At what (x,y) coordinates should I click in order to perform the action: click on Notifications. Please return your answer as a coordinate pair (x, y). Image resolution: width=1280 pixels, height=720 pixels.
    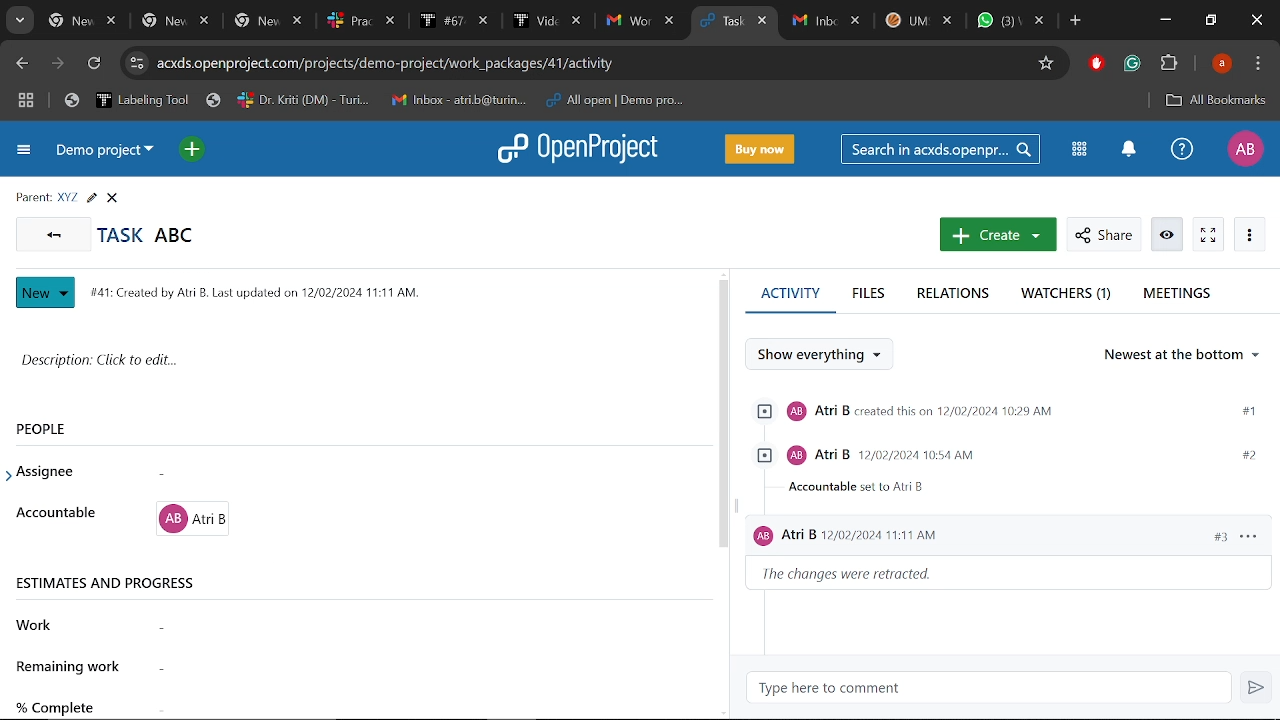
    Looking at the image, I should click on (1129, 150).